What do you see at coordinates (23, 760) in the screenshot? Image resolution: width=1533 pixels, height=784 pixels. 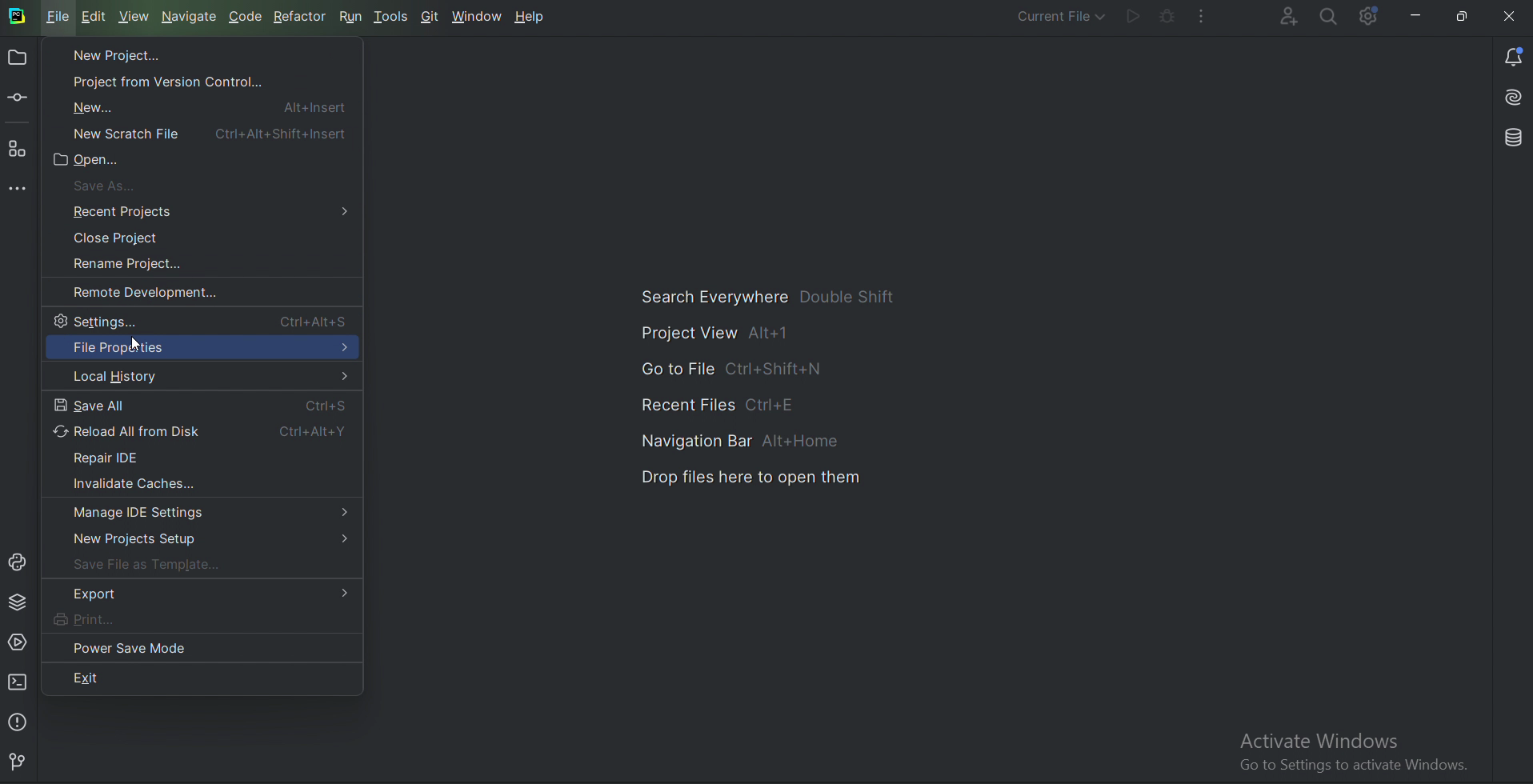 I see `Git` at bounding box center [23, 760].